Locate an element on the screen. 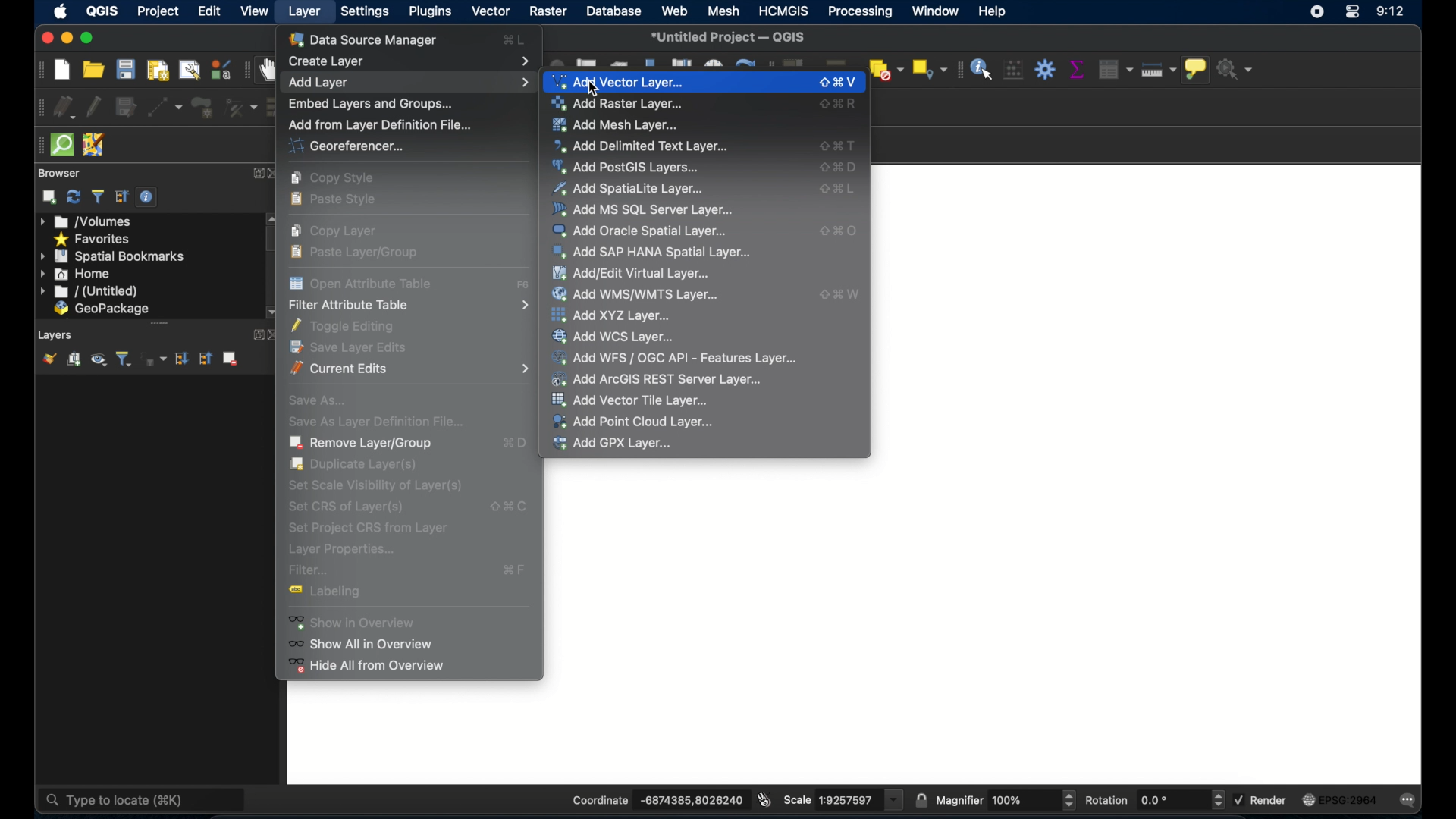 The image size is (1456, 819). Add WFS/OGC API- Features Layer... is located at coordinates (679, 358).